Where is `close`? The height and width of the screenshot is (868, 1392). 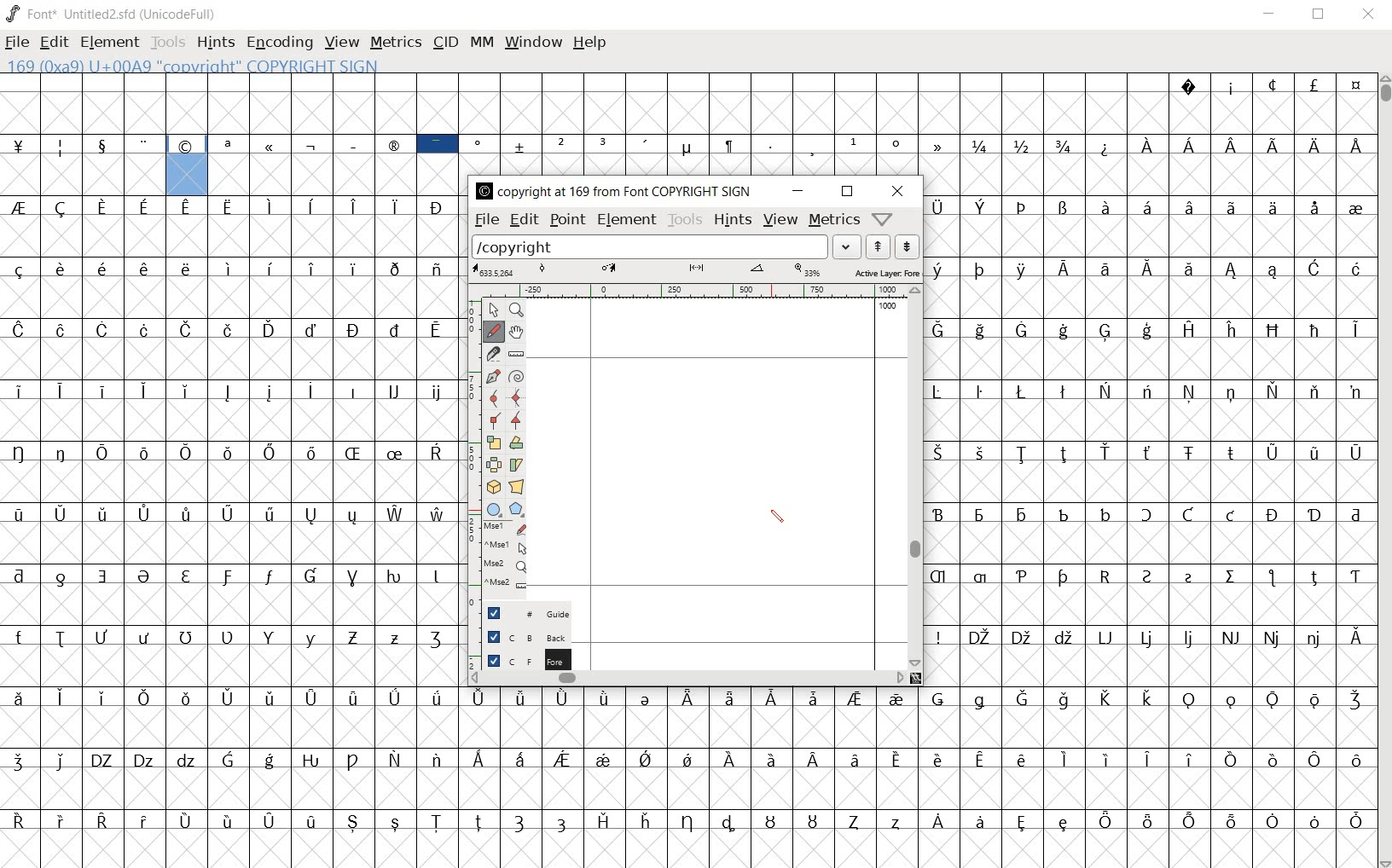 close is located at coordinates (902, 190).